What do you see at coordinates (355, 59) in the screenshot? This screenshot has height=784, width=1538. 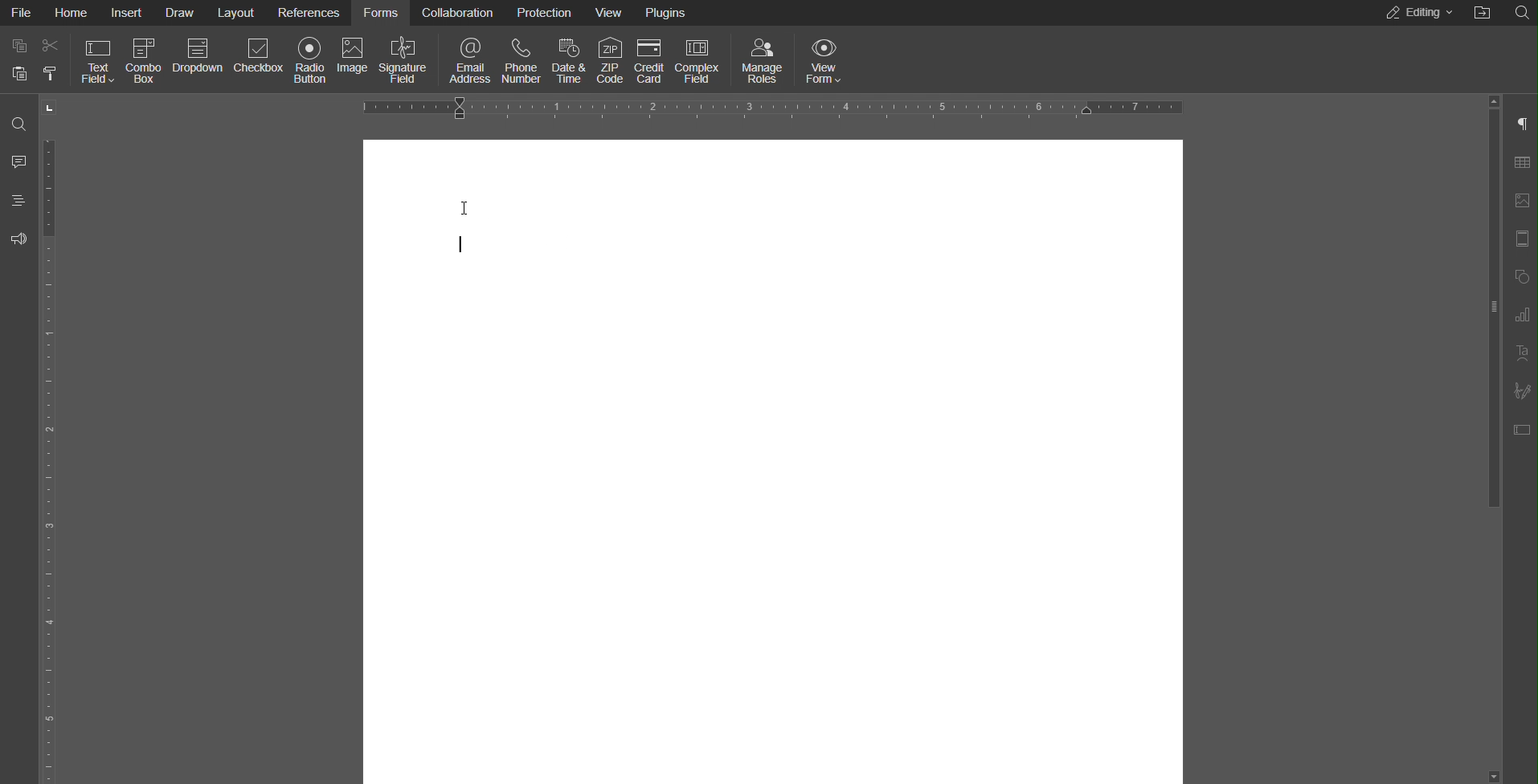 I see `Image` at bounding box center [355, 59].